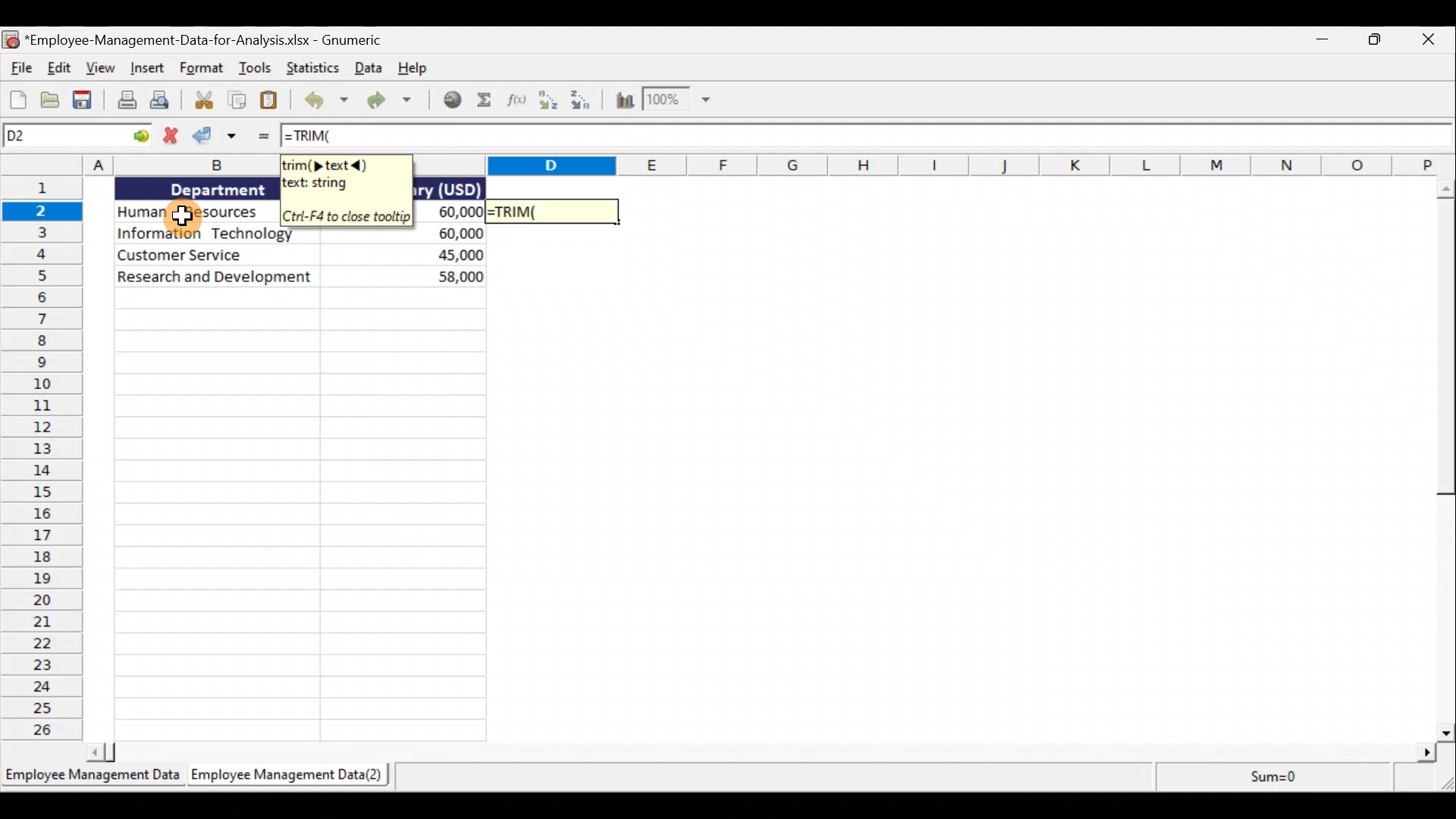 The height and width of the screenshot is (819, 1456). I want to click on =TRIM(, so click(318, 138).